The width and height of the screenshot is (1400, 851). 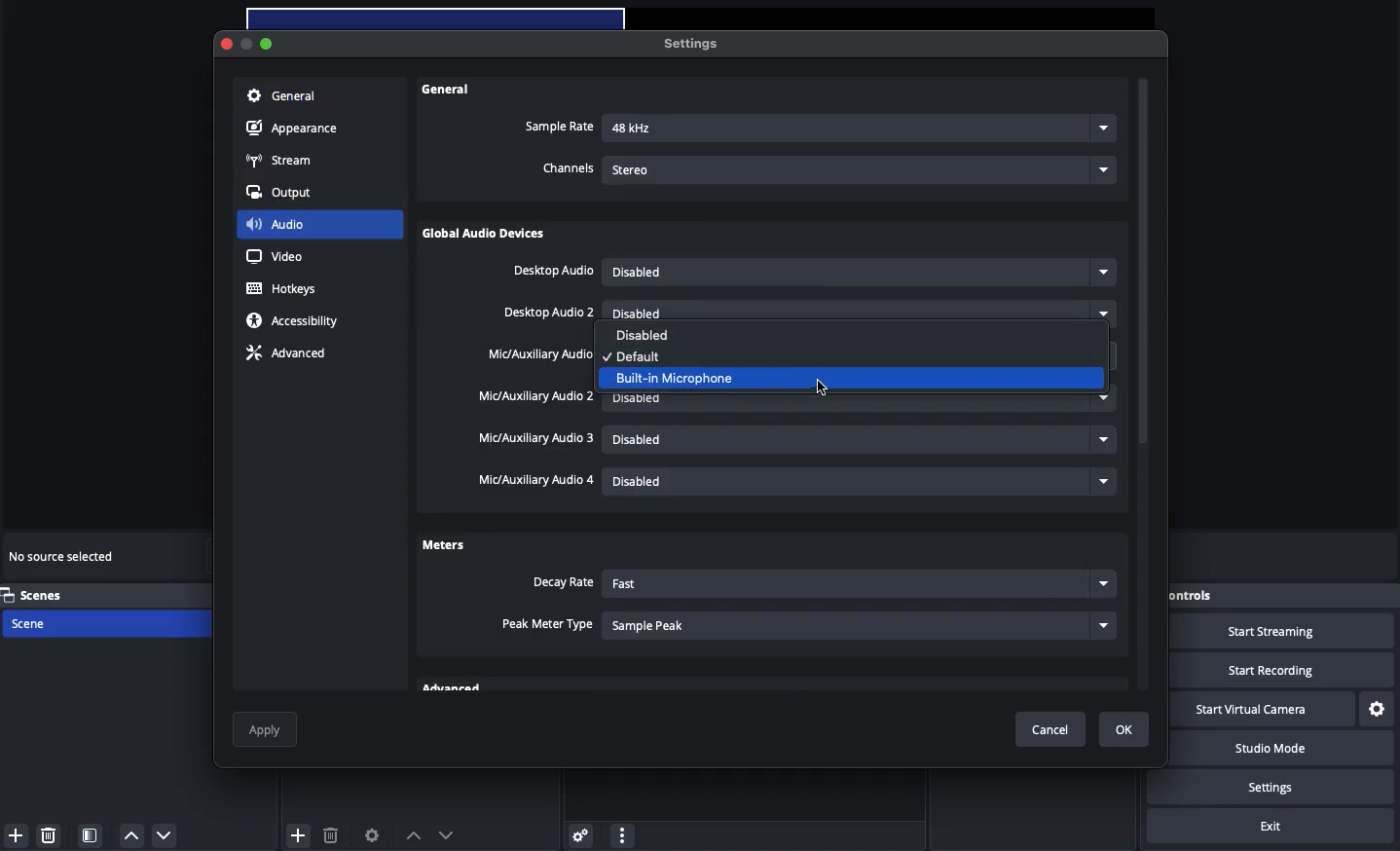 I want to click on Close, so click(x=228, y=45).